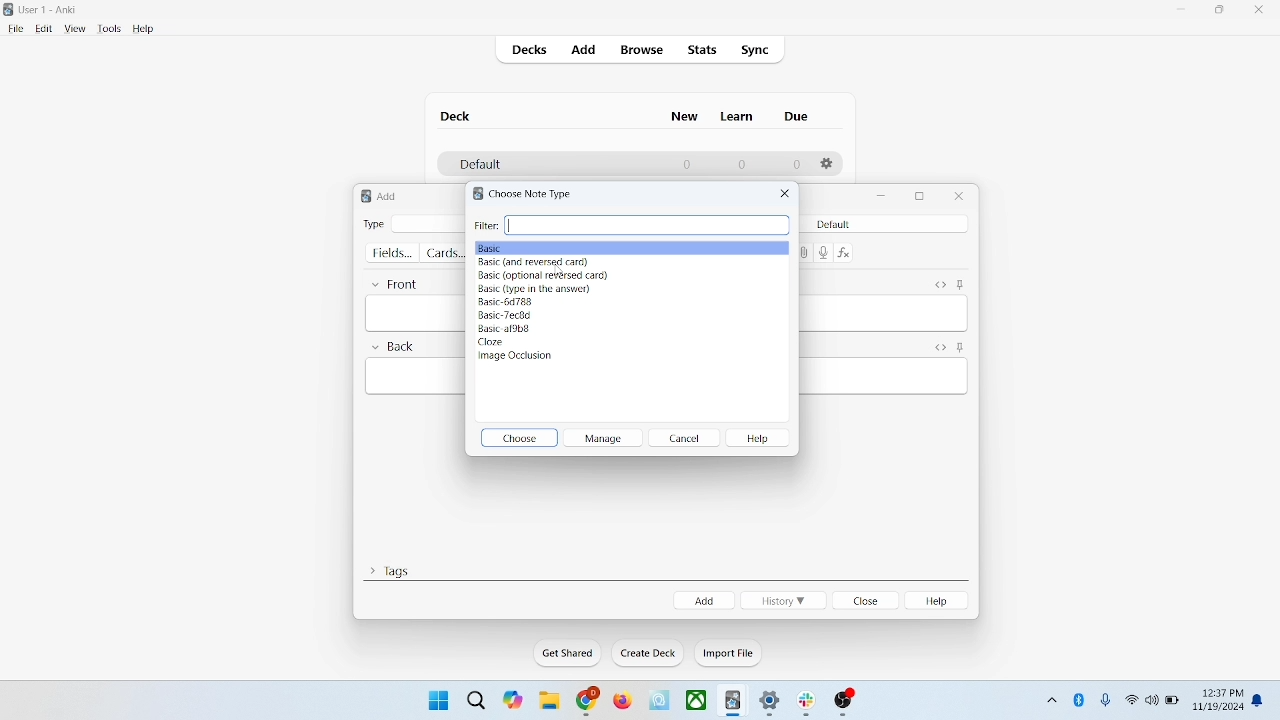  What do you see at coordinates (633, 223) in the screenshot?
I see `Filter` at bounding box center [633, 223].